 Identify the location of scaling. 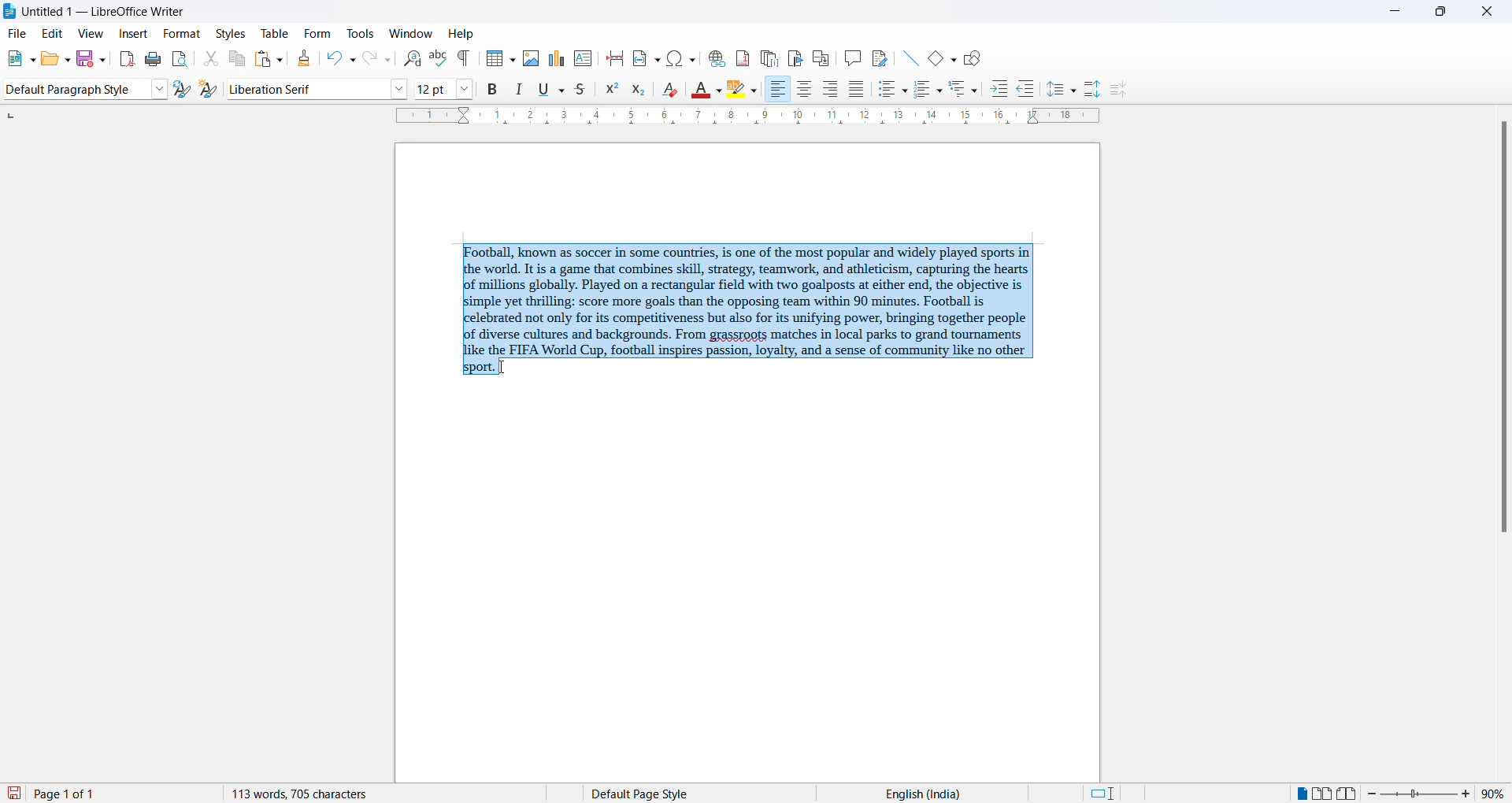
(744, 118).